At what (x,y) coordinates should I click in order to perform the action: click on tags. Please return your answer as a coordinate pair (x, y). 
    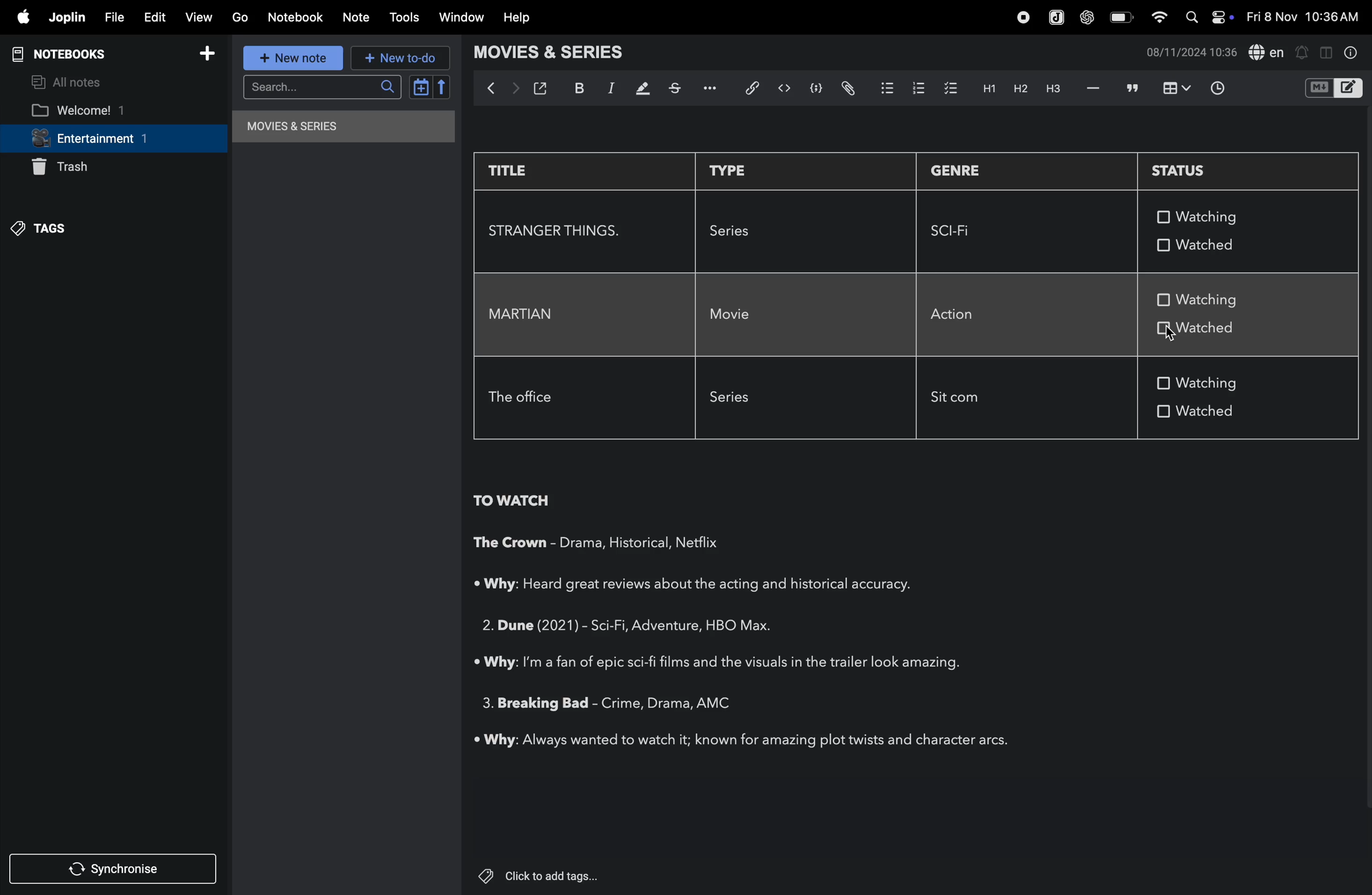
    Looking at the image, I should click on (59, 229).